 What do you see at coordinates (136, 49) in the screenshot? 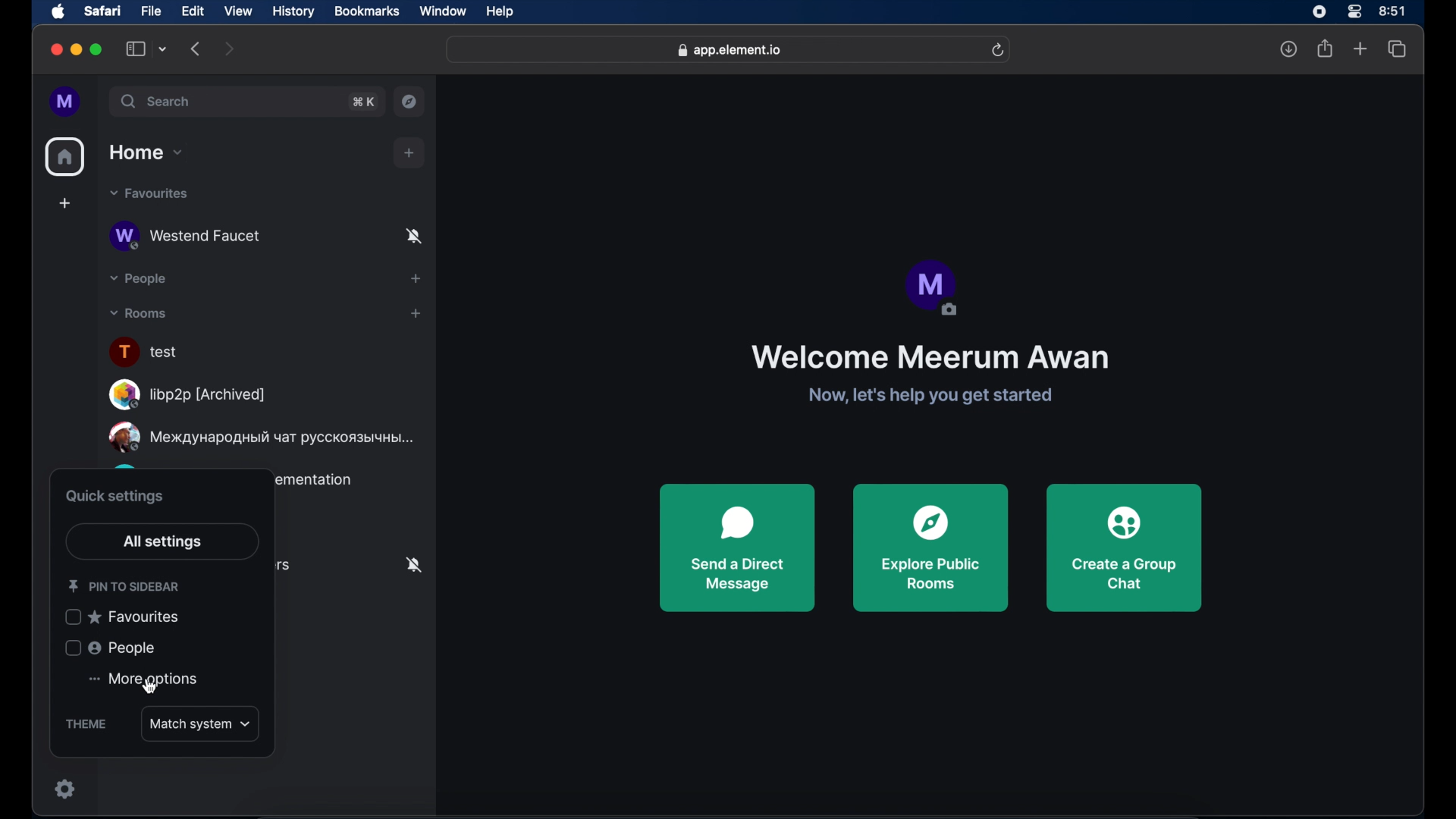
I see `show sidebar` at bounding box center [136, 49].